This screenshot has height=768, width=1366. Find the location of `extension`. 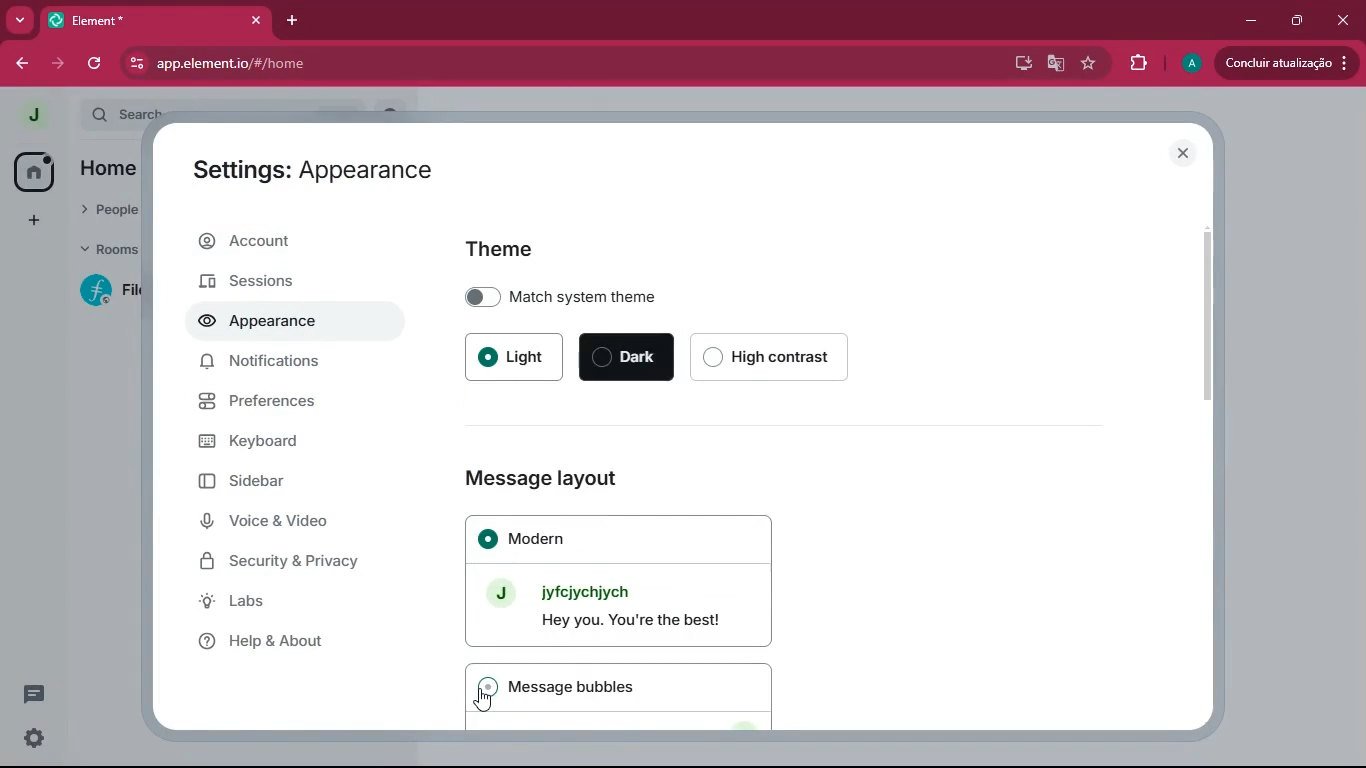

extension is located at coordinates (1141, 63).